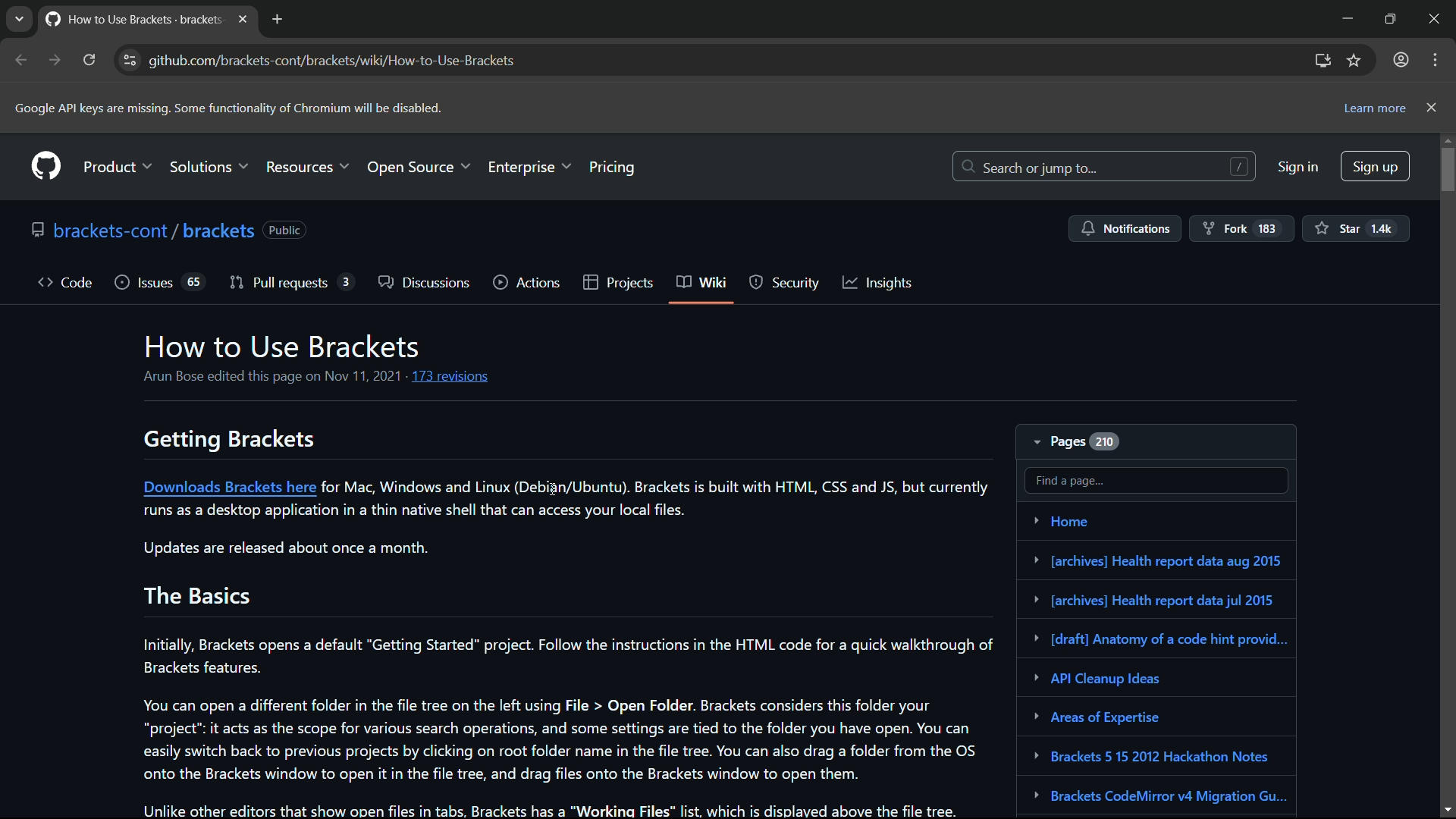 This screenshot has height=819, width=1456. What do you see at coordinates (22, 60) in the screenshot?
I see `back` at bounding box center [22, 60].